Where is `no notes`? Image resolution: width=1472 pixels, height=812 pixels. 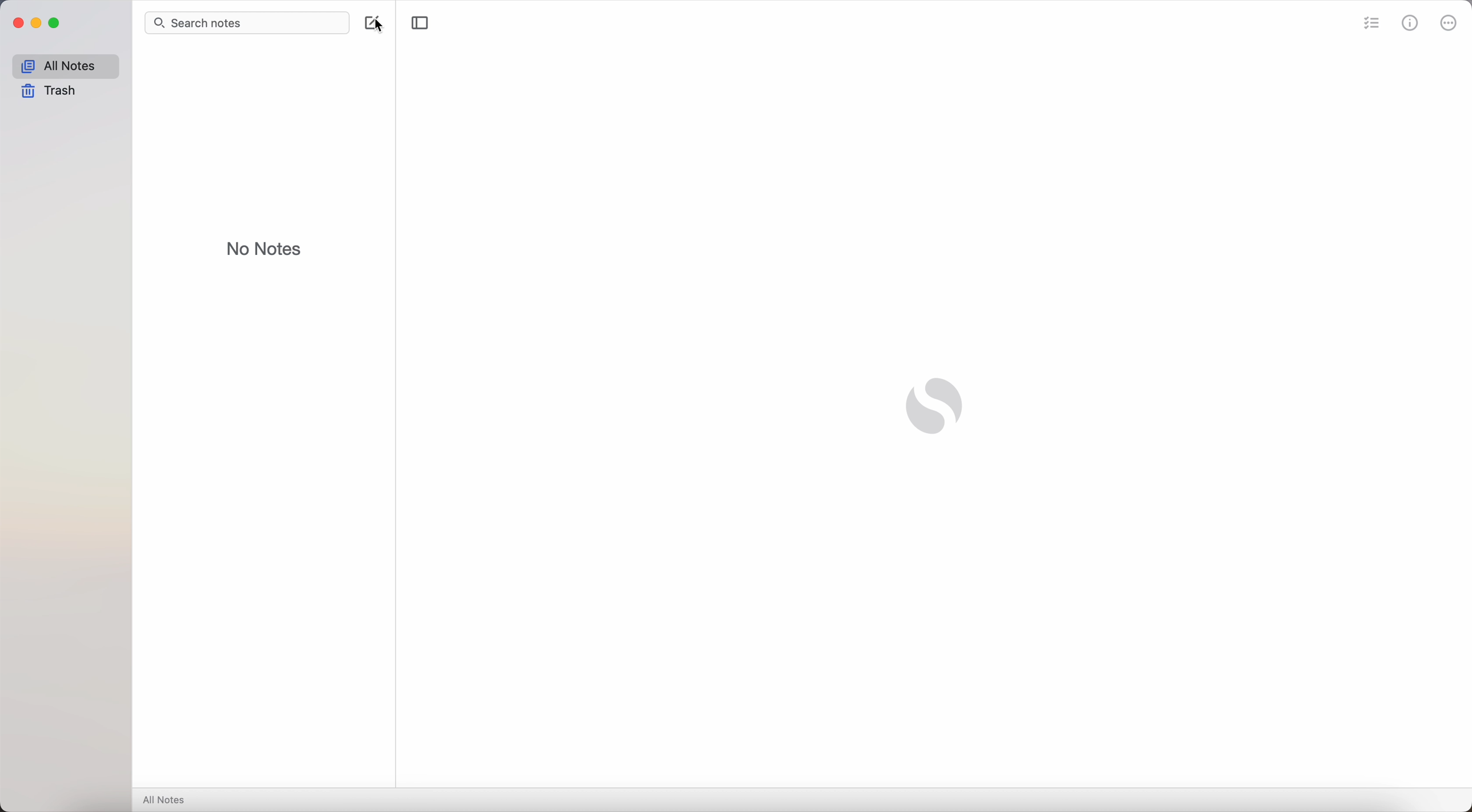
no notes is located at coordinates (266, 247).